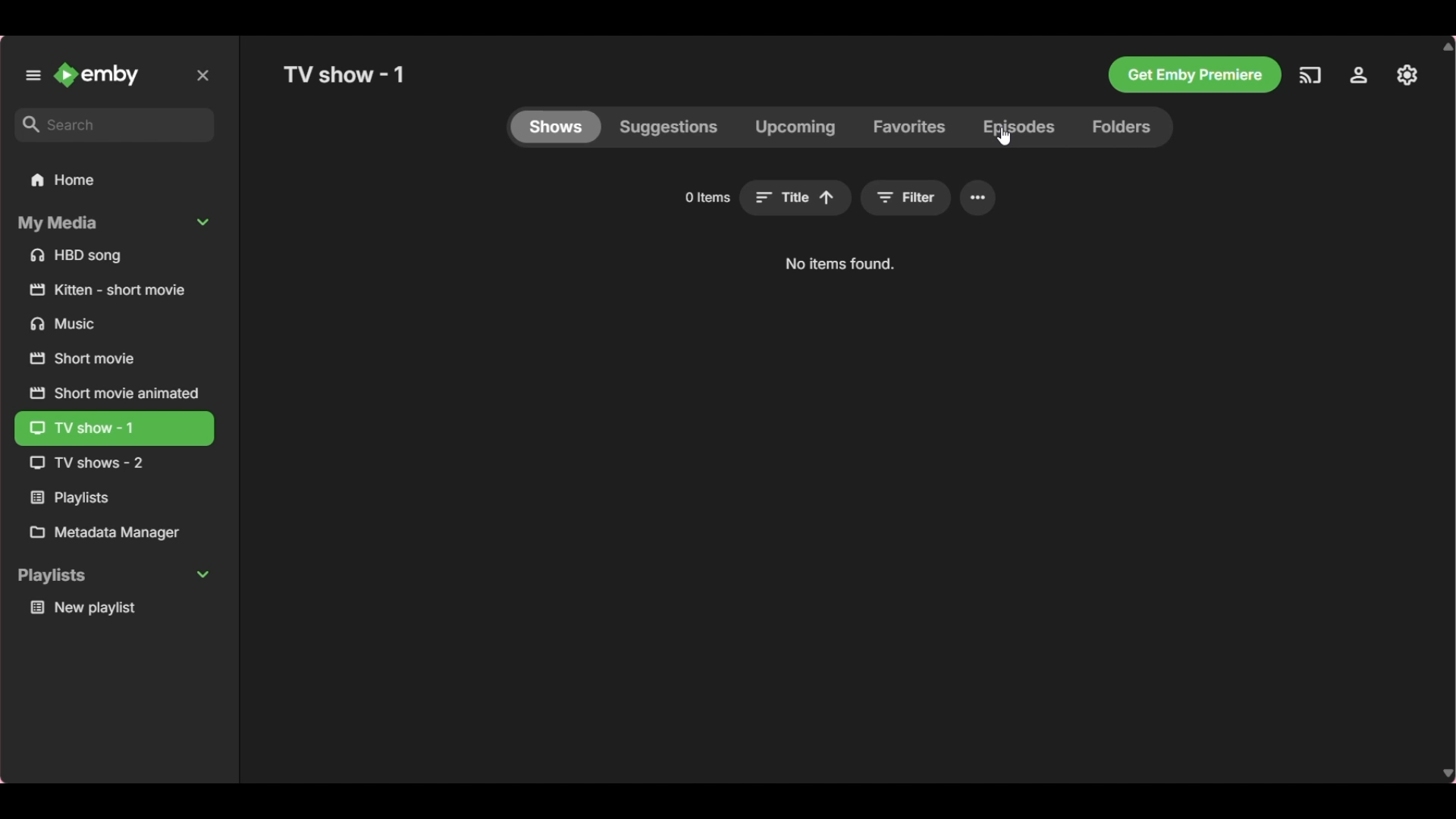 This screenshot has height=819, width=1456. What do you see at coordinates (114, 429) in the screenshot?
I see `TV show - 1, Current folder highlighted` at bounding box center [114, 429].